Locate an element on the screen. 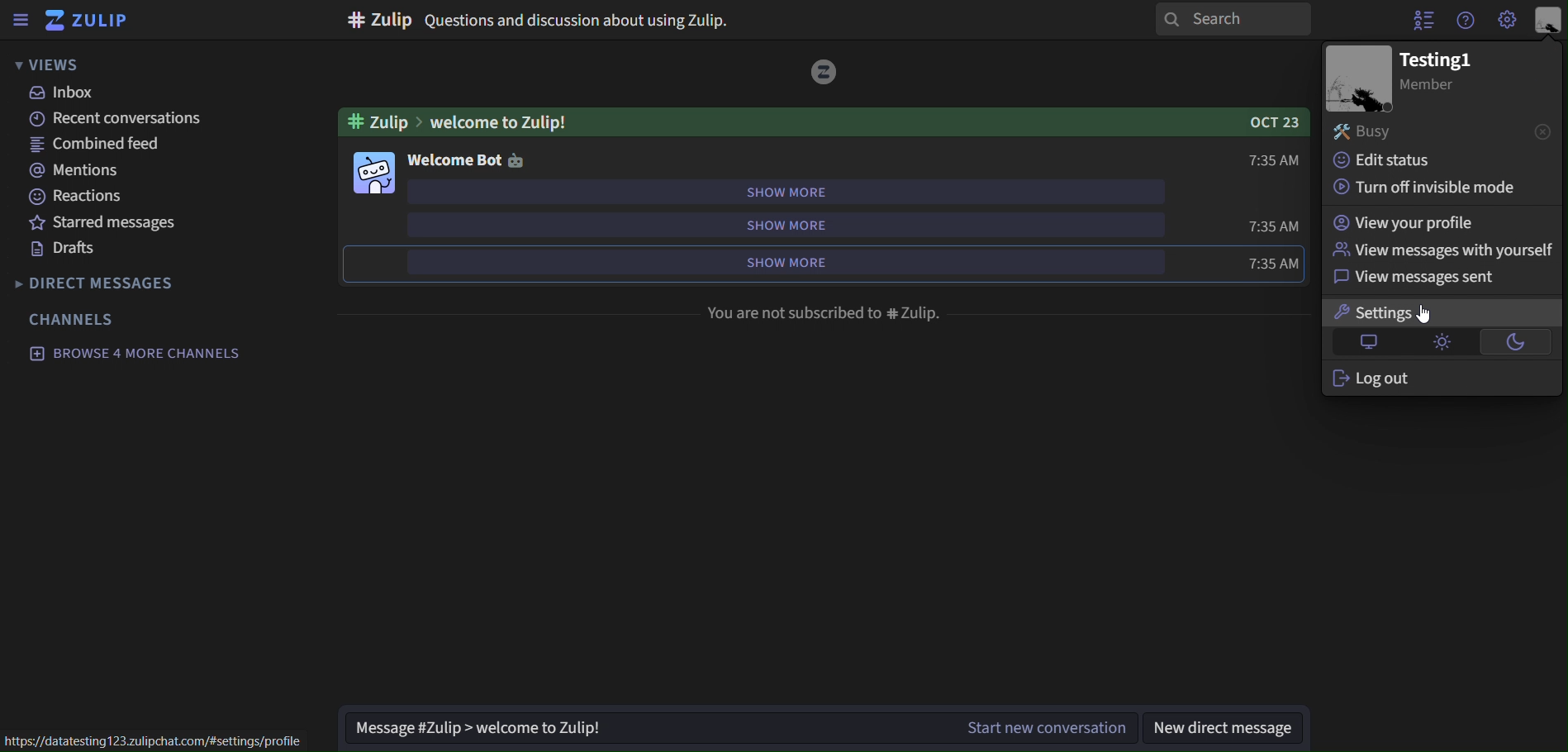  7:35 AM is located at coordinates (1276, 261).